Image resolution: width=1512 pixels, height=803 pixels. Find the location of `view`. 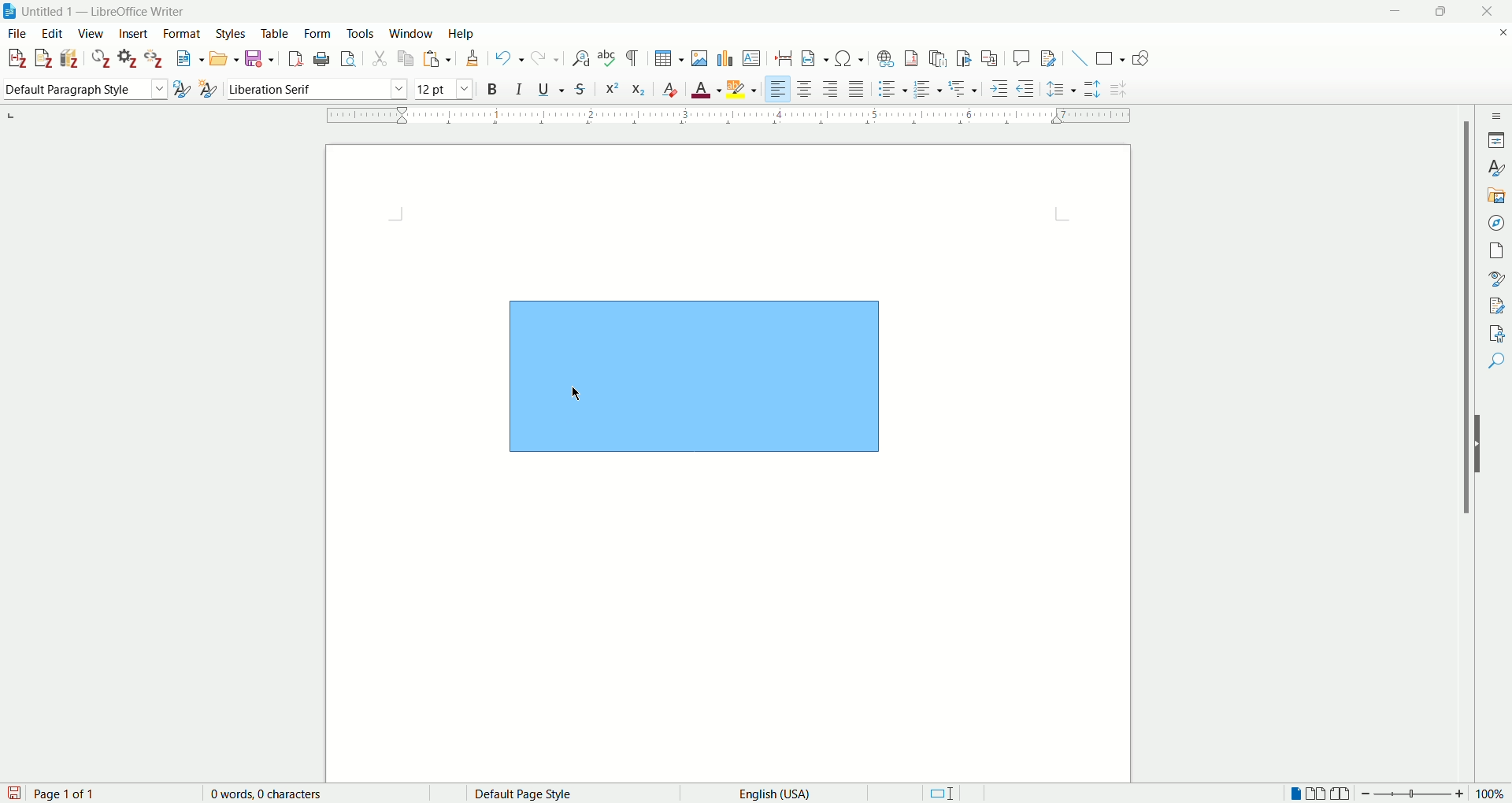

view is located at coordinates (93, 32).